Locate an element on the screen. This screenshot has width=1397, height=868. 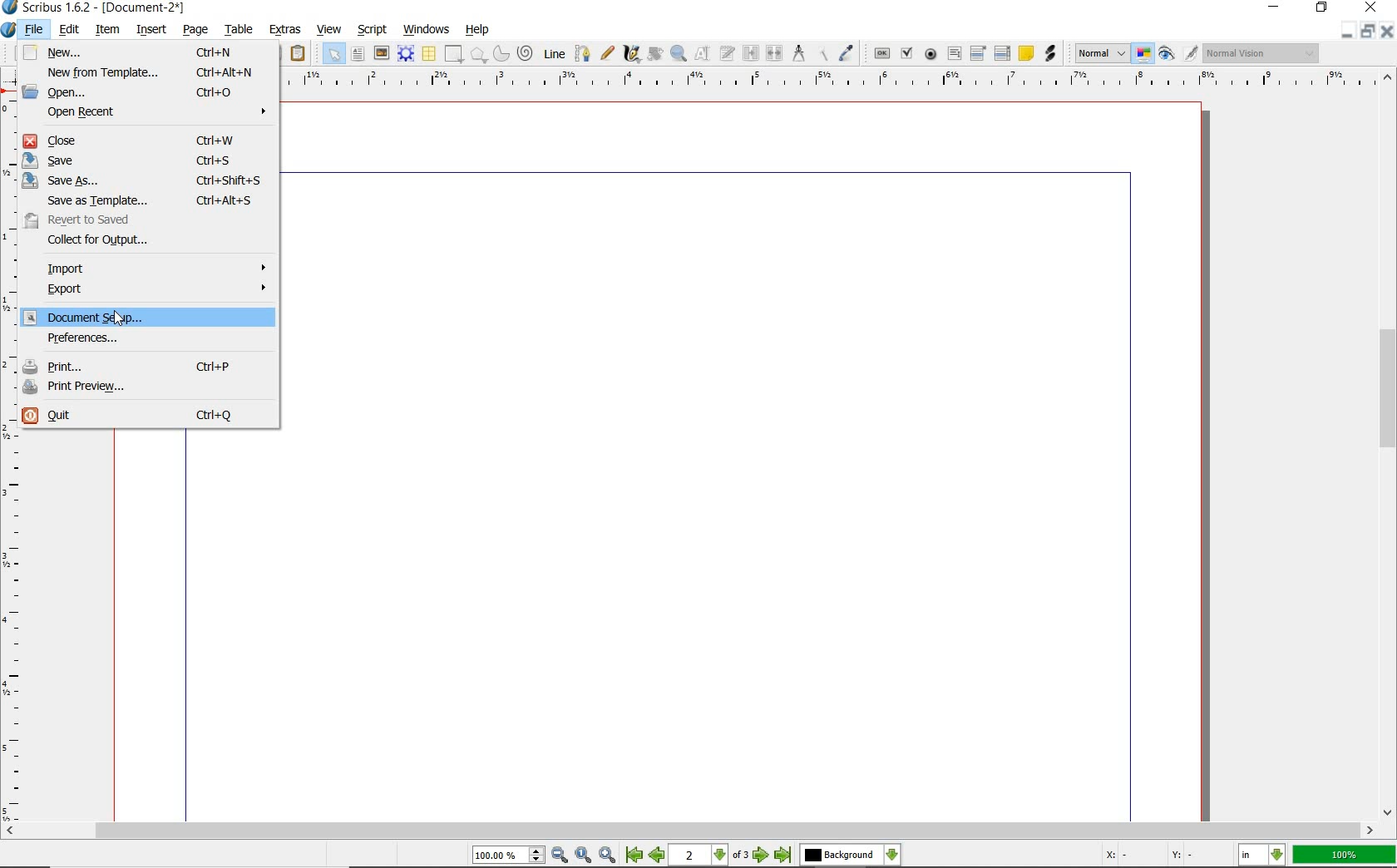
Last Page is located at coordinates (784, 856).